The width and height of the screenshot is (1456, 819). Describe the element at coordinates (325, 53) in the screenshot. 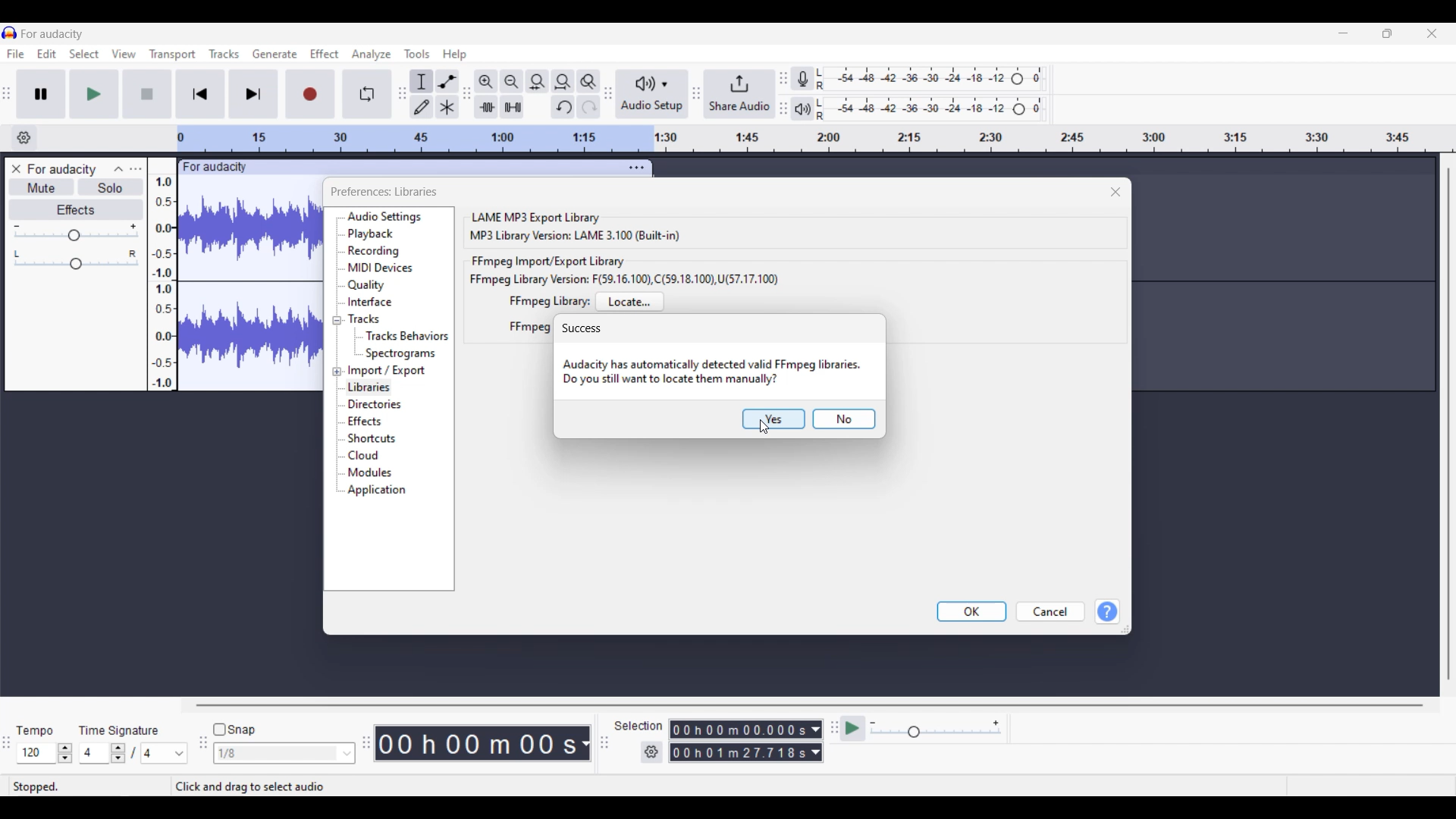

I see `Effect menu` at that location.